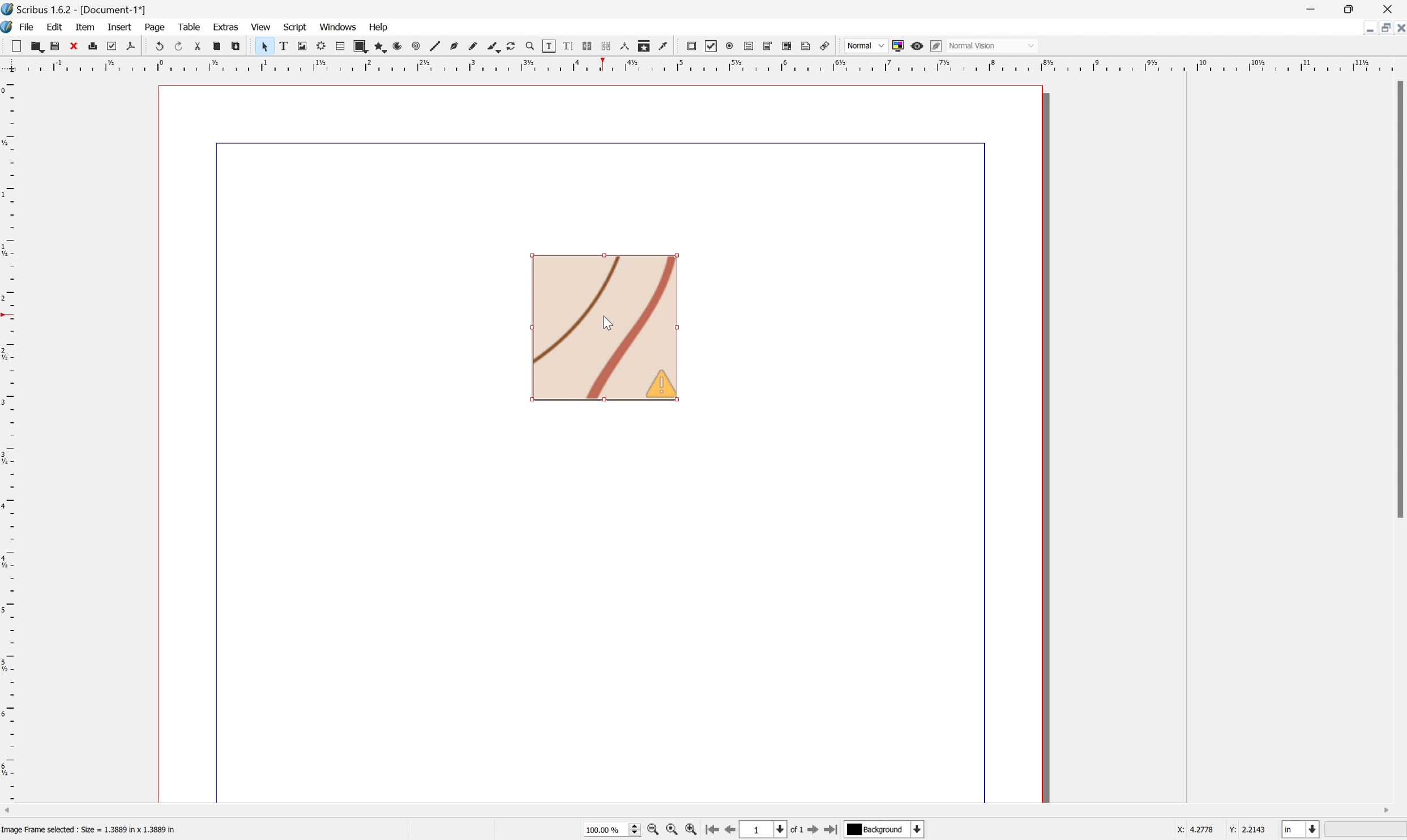  What do you see at coordinates (613, 829) in the screenshot?
I see `Zoom 100%` at bounding box center [613, 829].